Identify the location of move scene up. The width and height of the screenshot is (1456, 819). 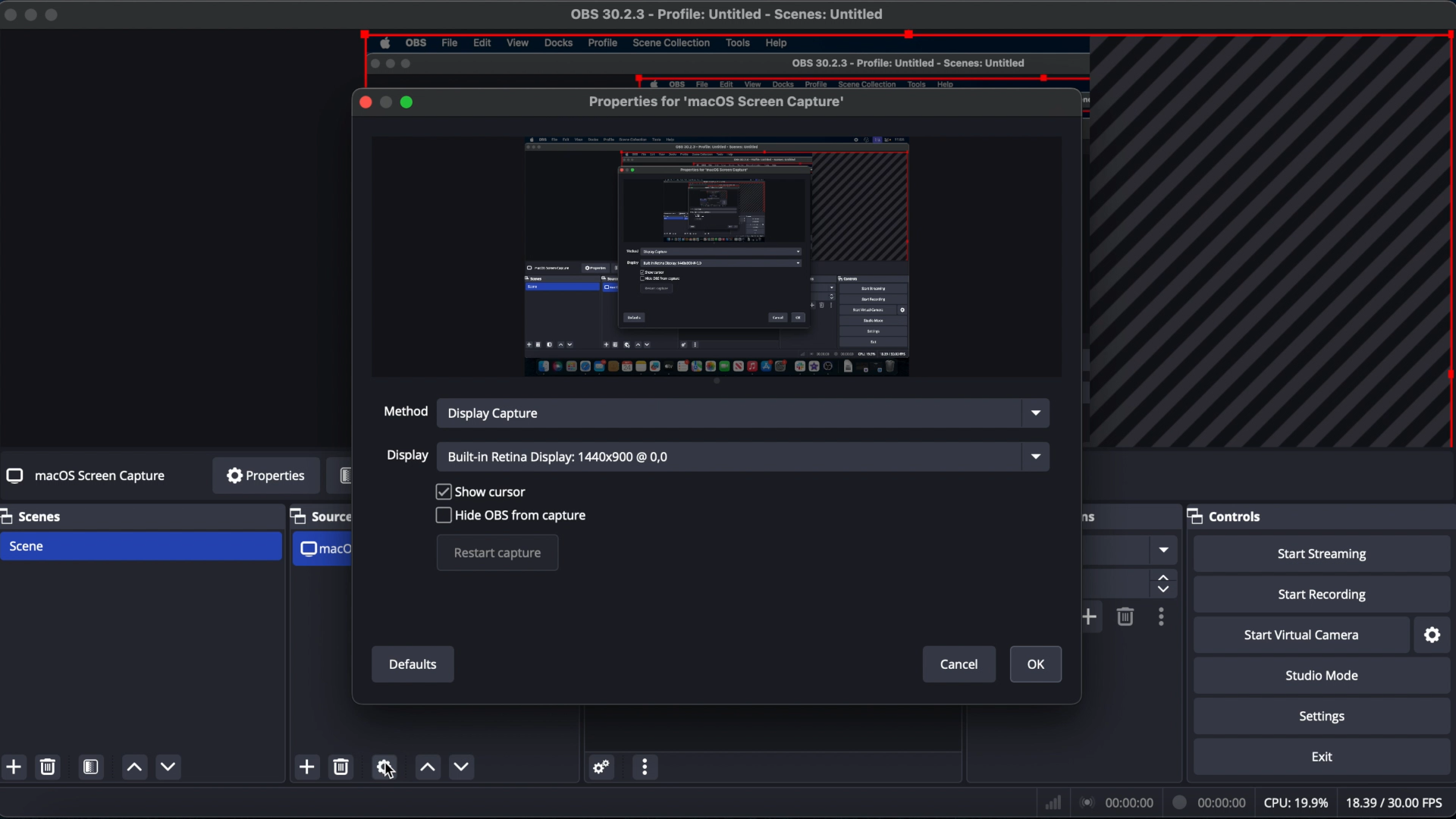
(133, 767).